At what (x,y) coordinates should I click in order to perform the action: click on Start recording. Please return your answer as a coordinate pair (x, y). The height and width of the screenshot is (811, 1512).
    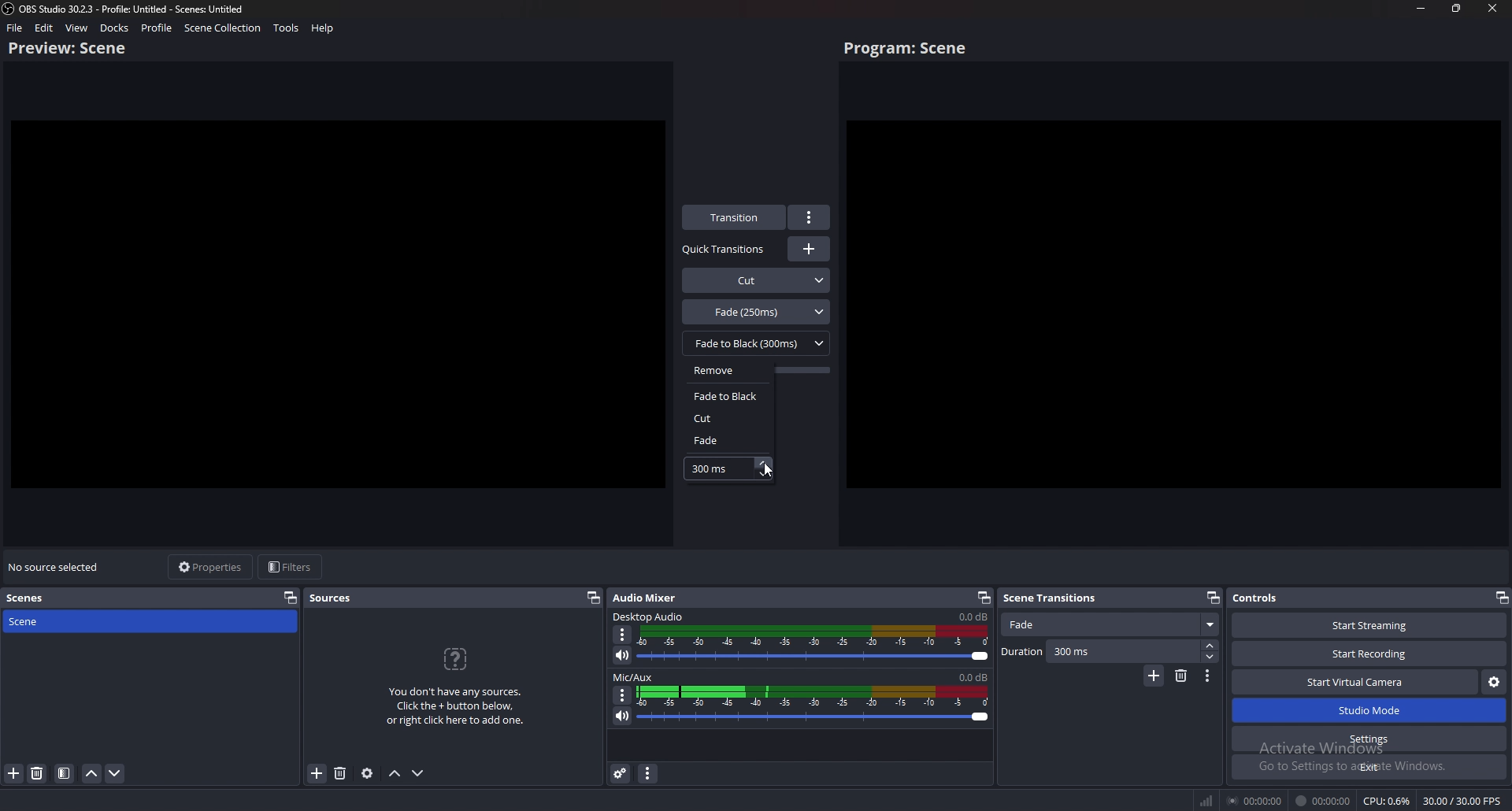
    Looking at the image, I should click on (1370, 654).